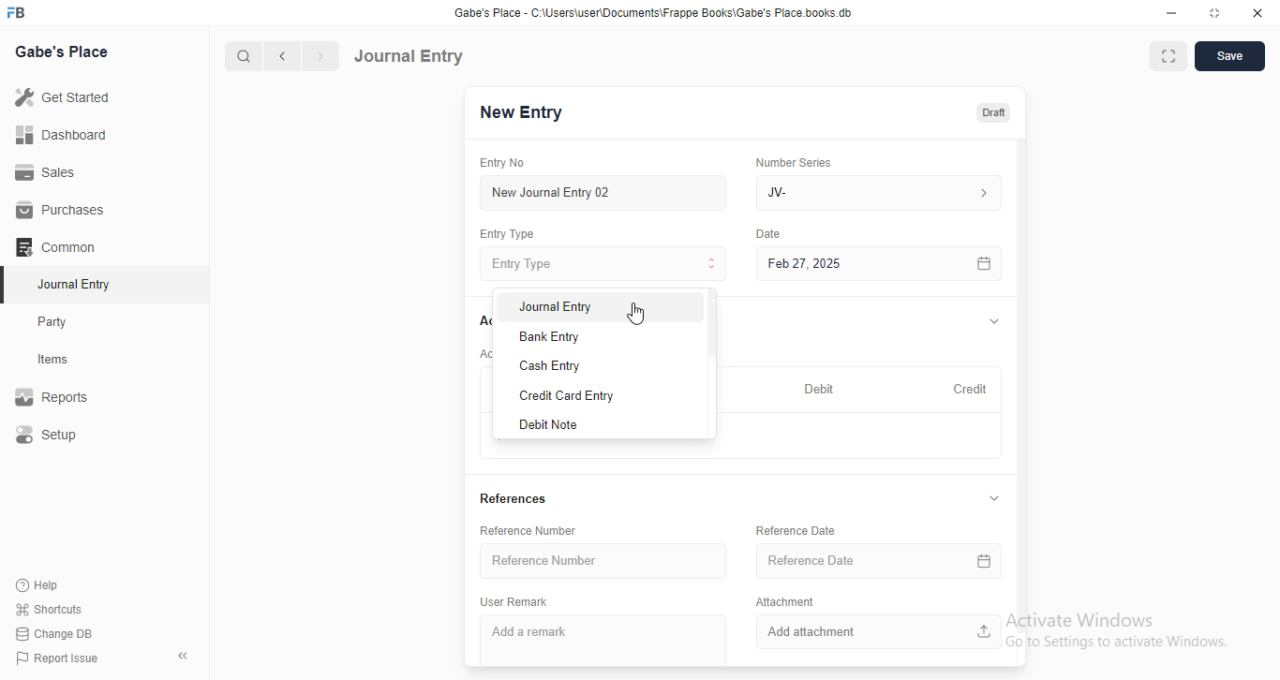 This screenshot has height=680, width=1280. I want to click on ‘Add a remark, so click(604, 636).